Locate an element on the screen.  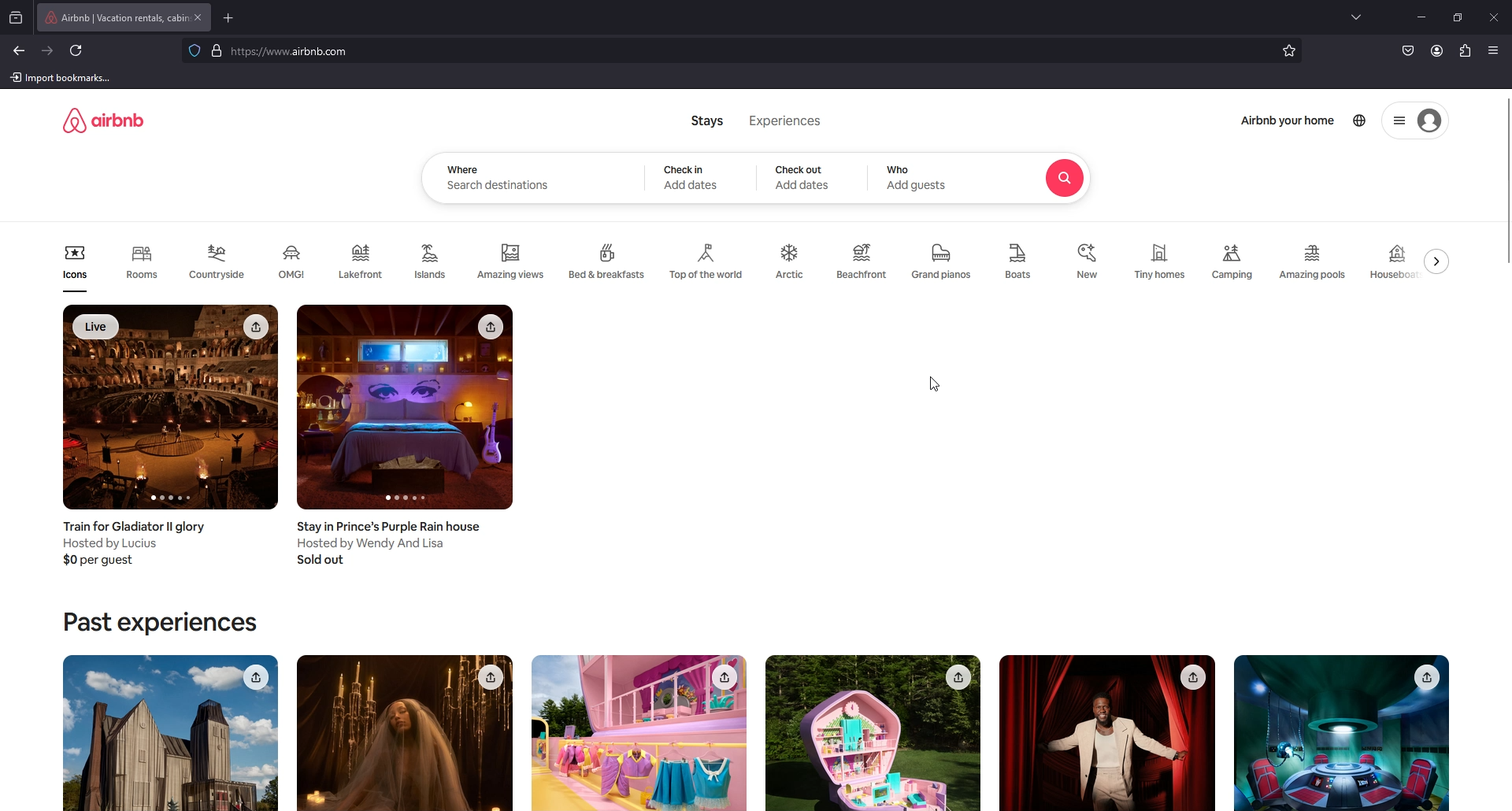
image is located at coordinates (172, 408).